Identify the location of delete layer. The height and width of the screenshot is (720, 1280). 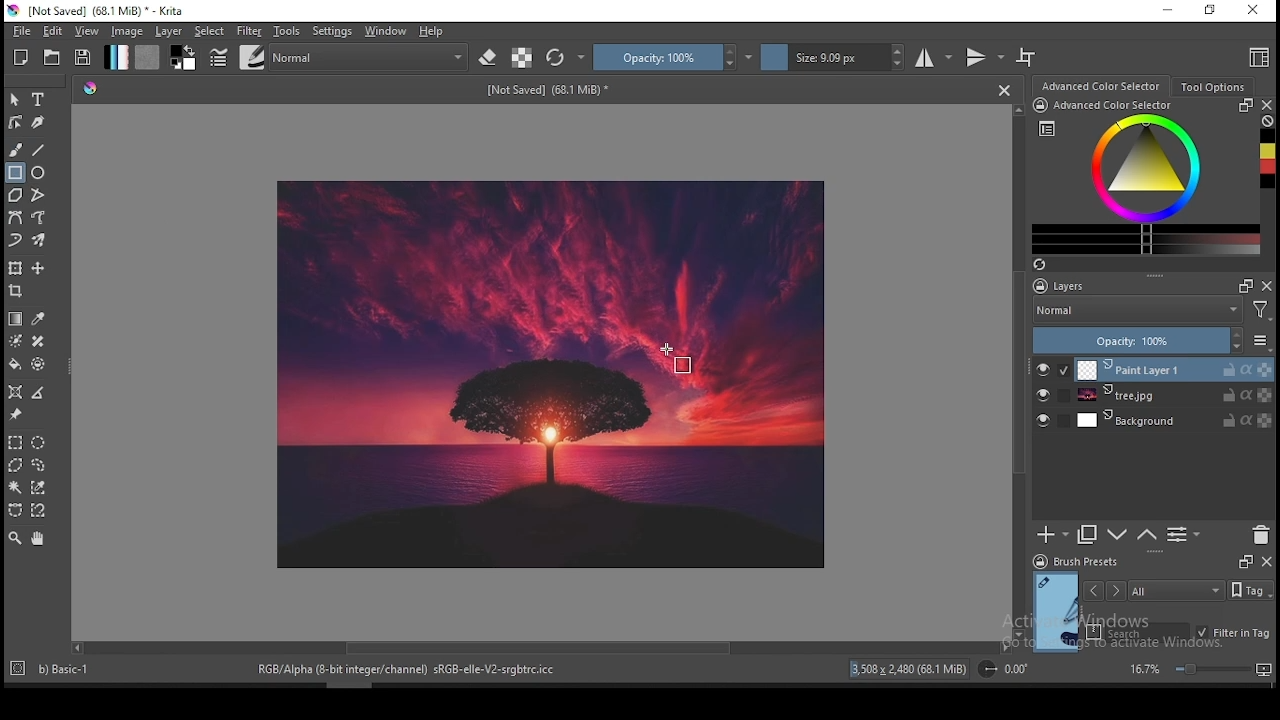
(1262, 535).